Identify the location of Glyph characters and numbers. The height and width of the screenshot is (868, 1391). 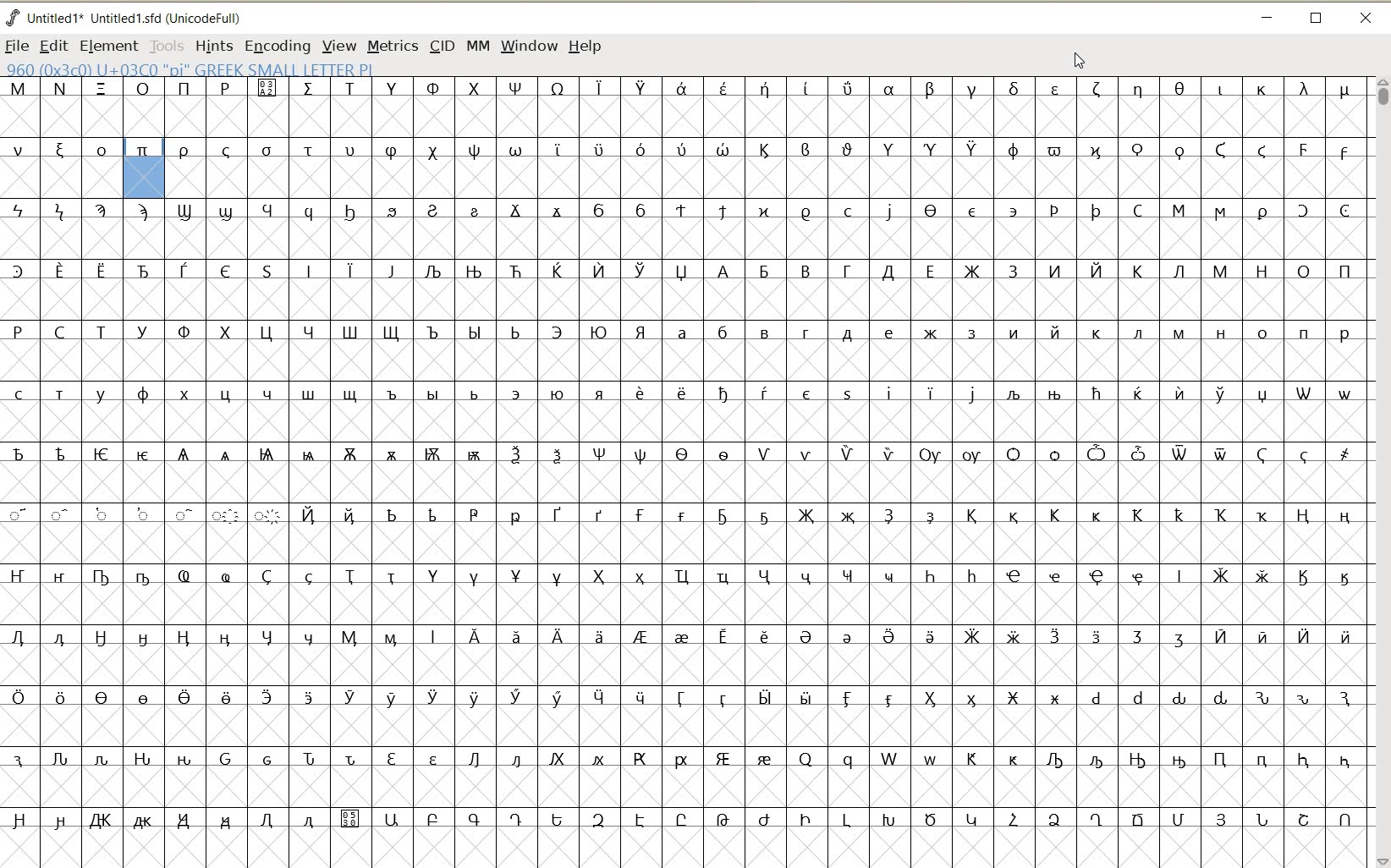
(785, 474).